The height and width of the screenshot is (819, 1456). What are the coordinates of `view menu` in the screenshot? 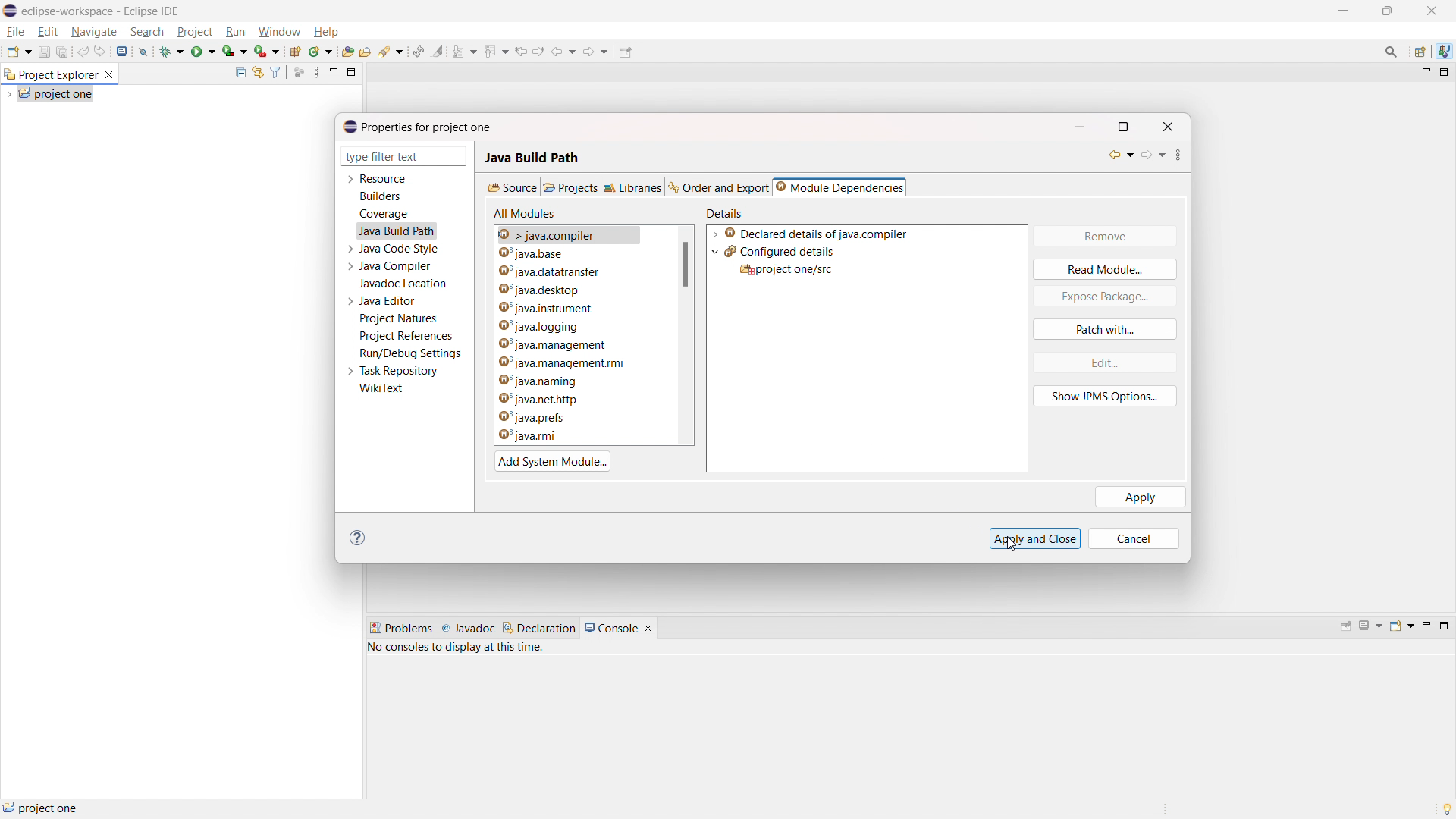 It's located at (1186, 155).